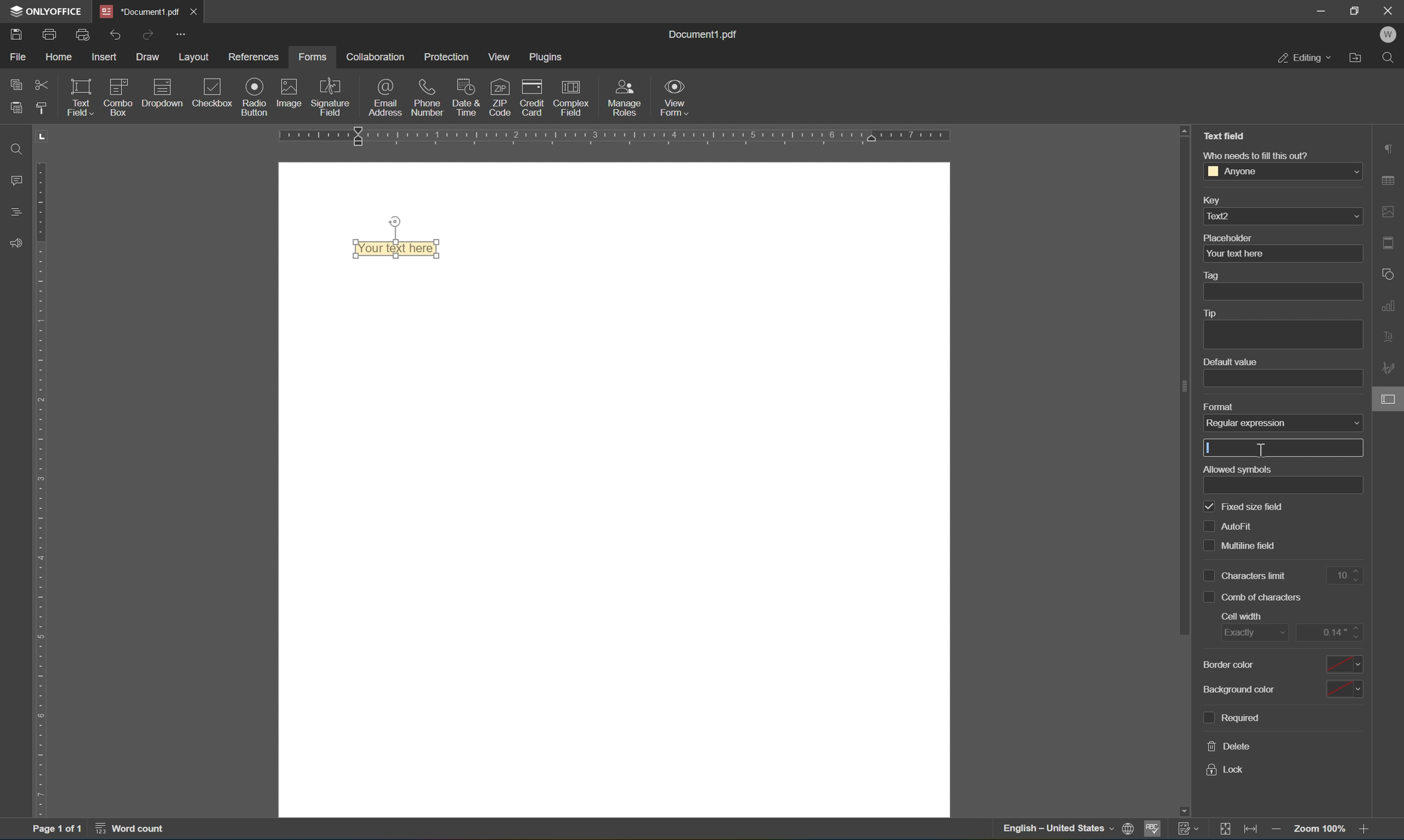 The height and width of the screenshot is (840, 1404). What do you see at coordinates (614, 137) in the screenshot?
I see `ruler` at bounding box center [614, 137].